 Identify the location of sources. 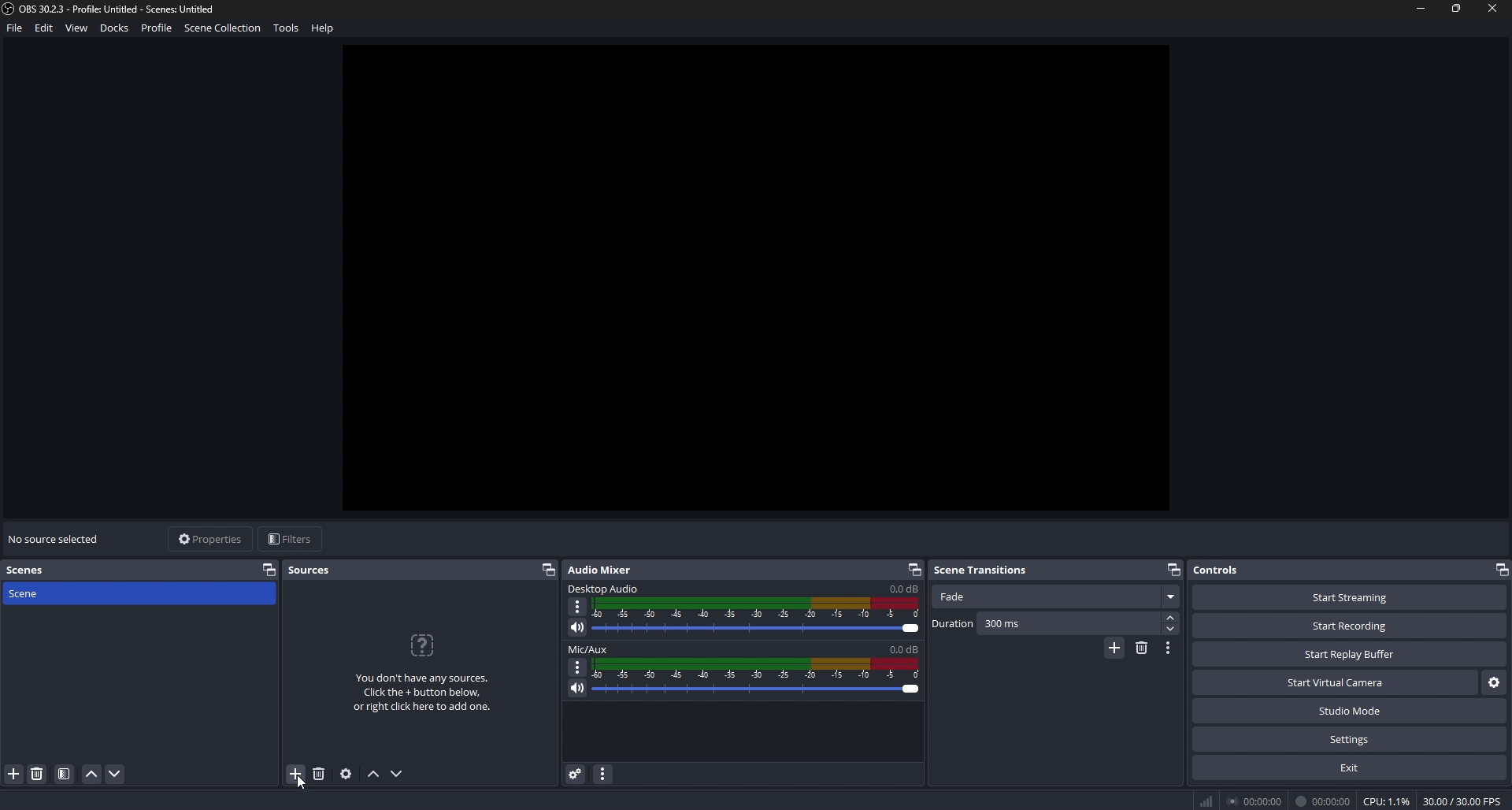
(317, 570).